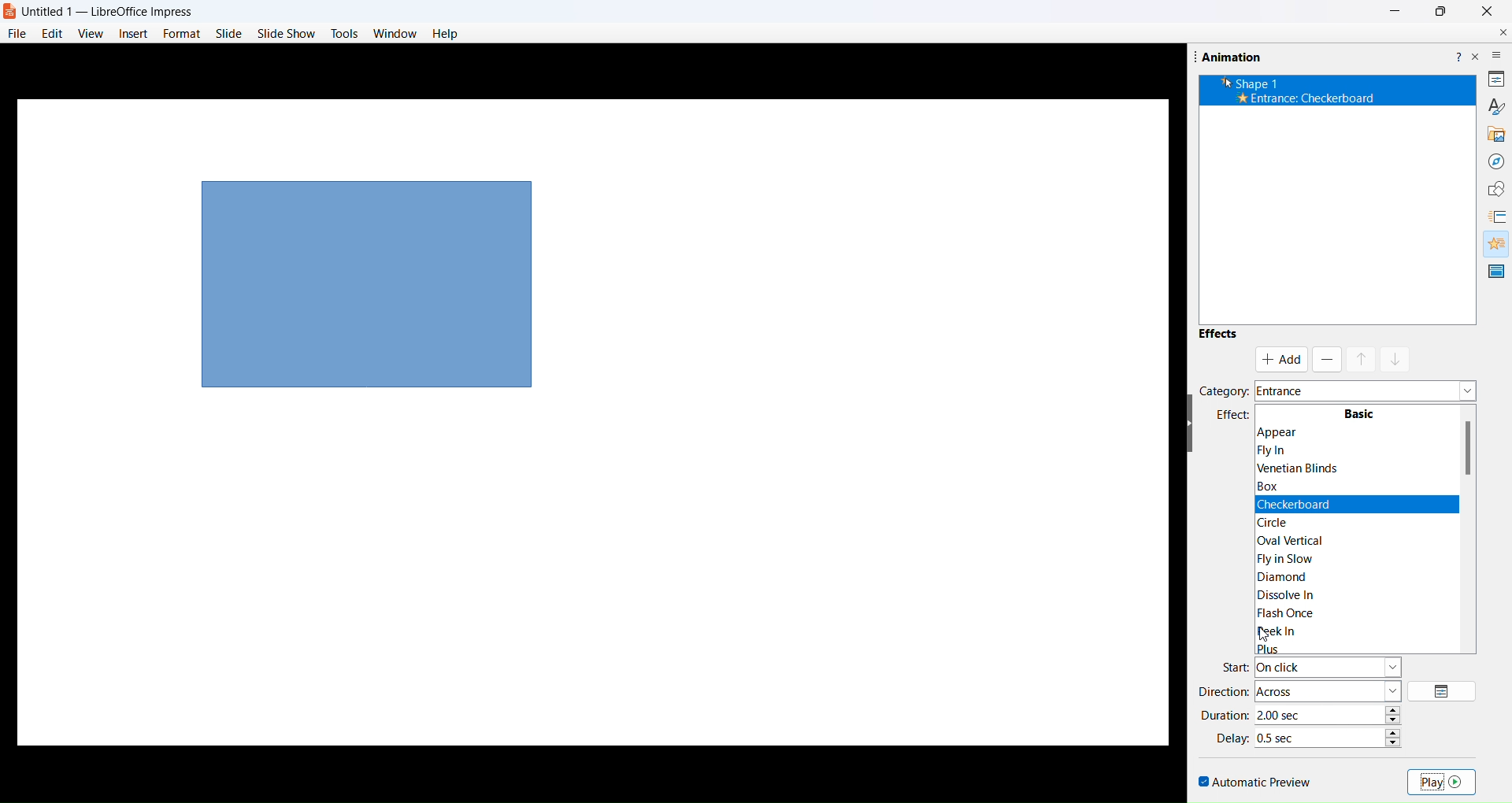 Image resolution: width=1512 pixels, height=803 pixels. I want to click on close, so click(1487, 9).